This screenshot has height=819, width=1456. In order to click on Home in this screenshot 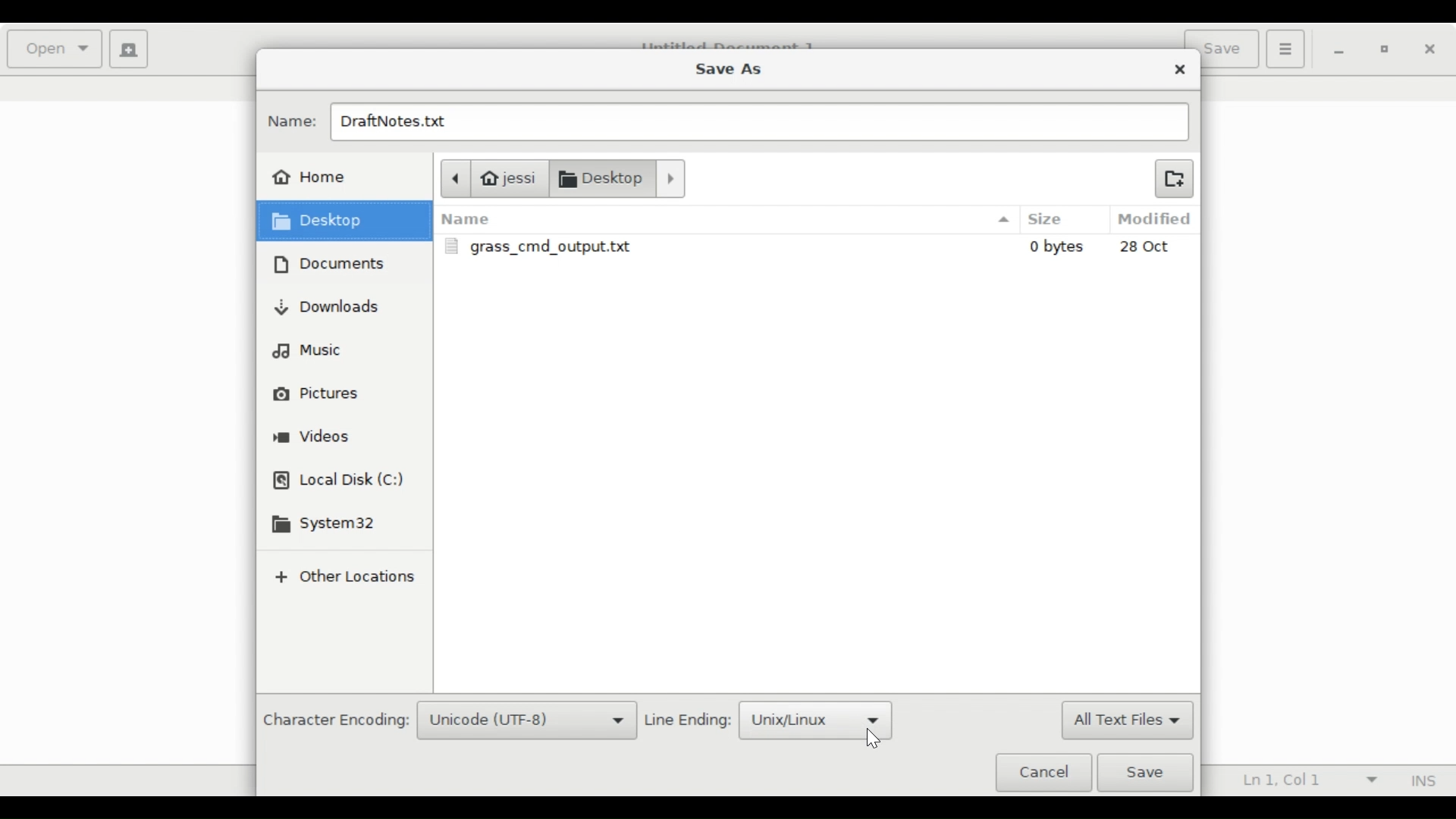, I will do `click(311, 175)`.